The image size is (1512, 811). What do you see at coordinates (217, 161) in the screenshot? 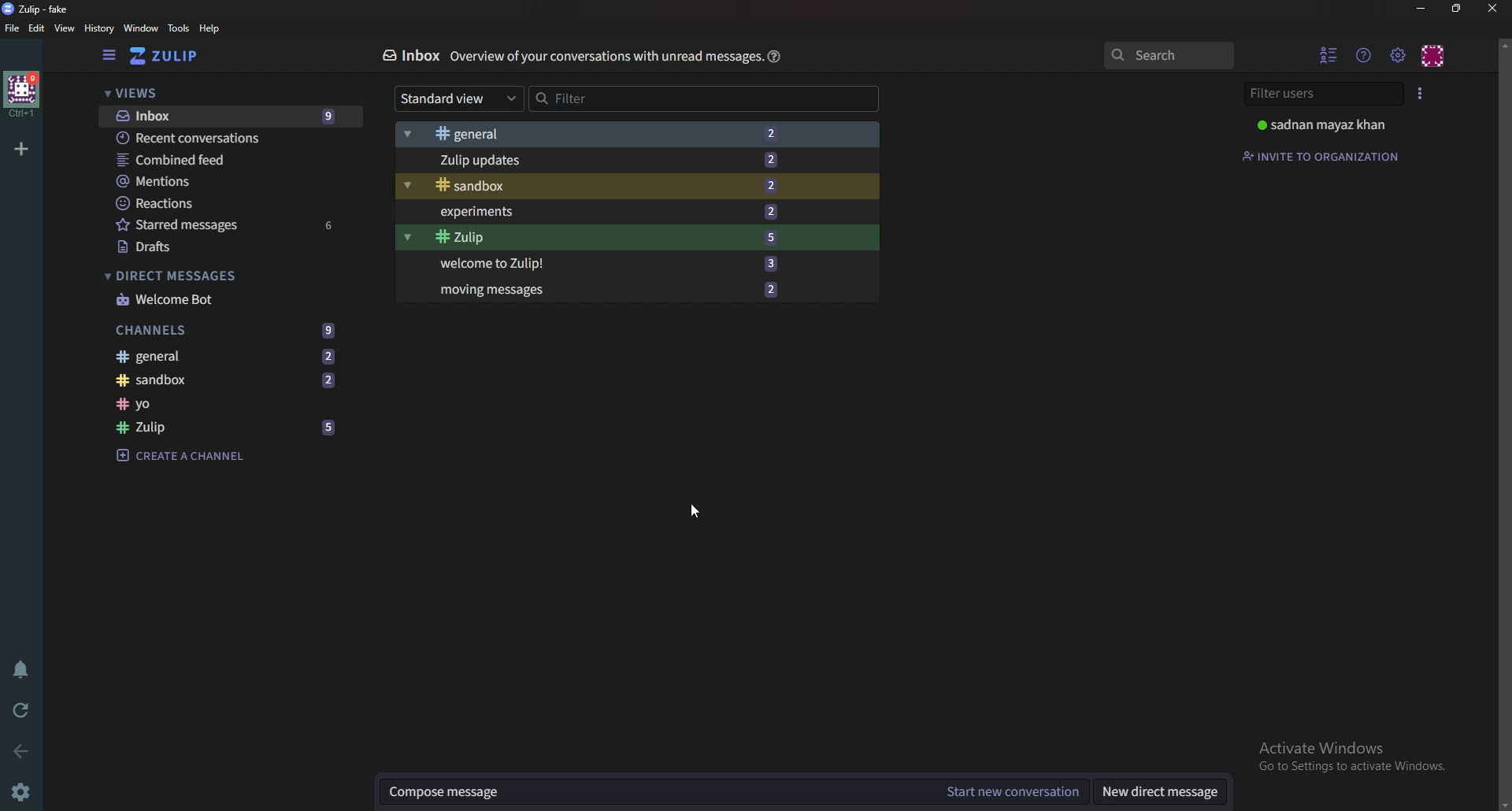
I see `Combine feed` at bounding box center [217, 161].